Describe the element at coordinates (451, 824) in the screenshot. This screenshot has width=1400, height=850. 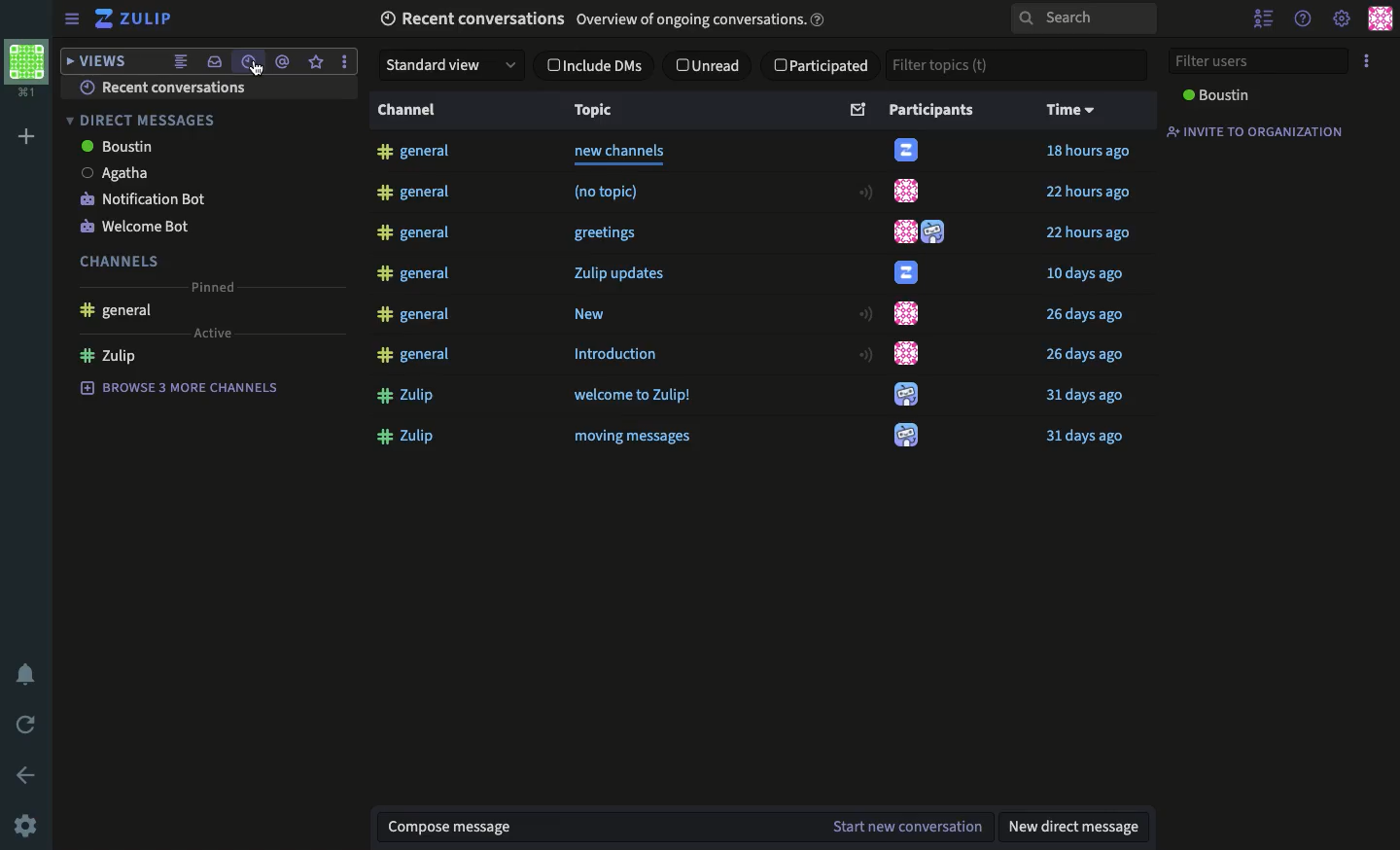
I see `Compose message` at that location.